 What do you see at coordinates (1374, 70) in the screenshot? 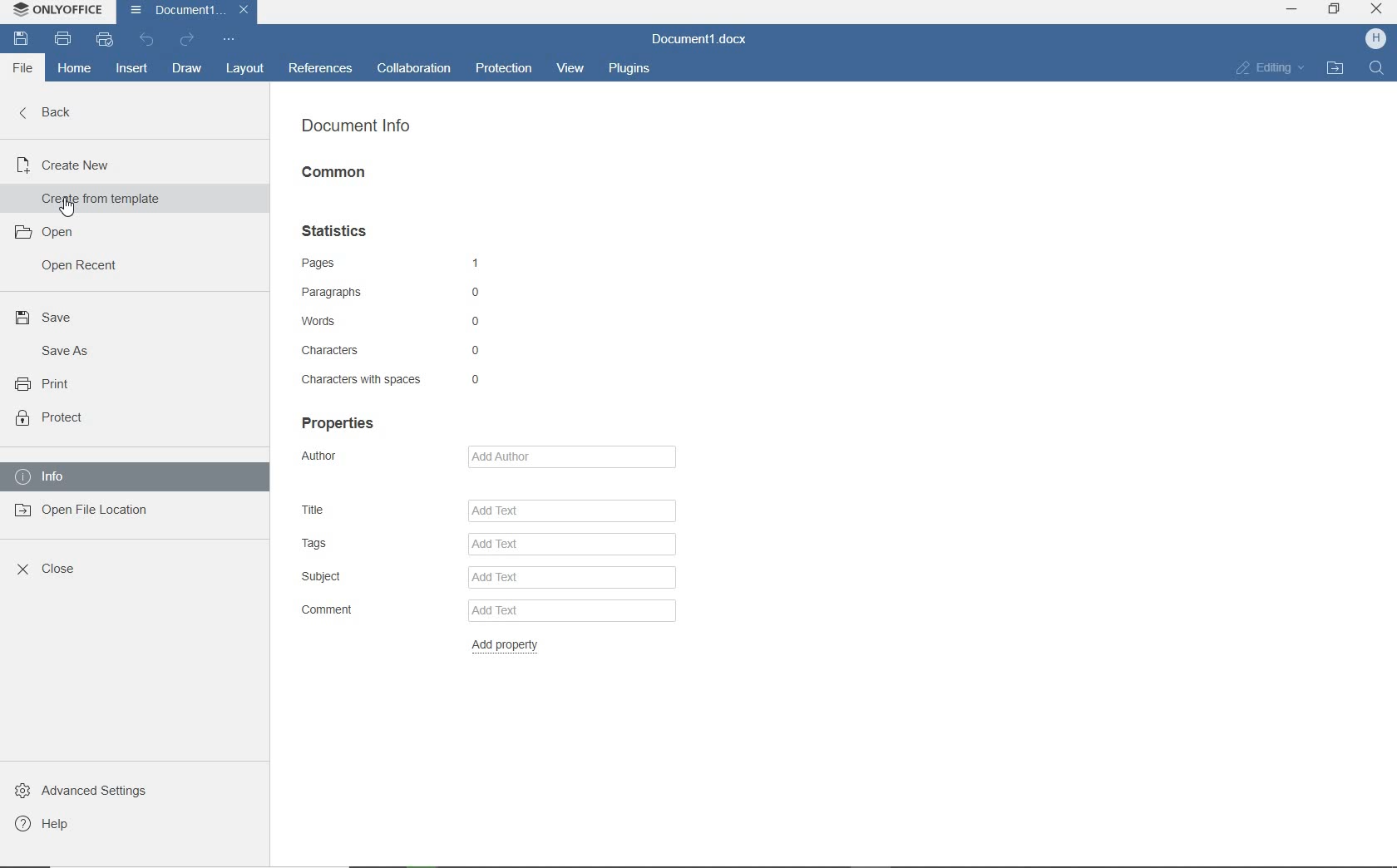
I see `search` at bounding box center [1374, 70].